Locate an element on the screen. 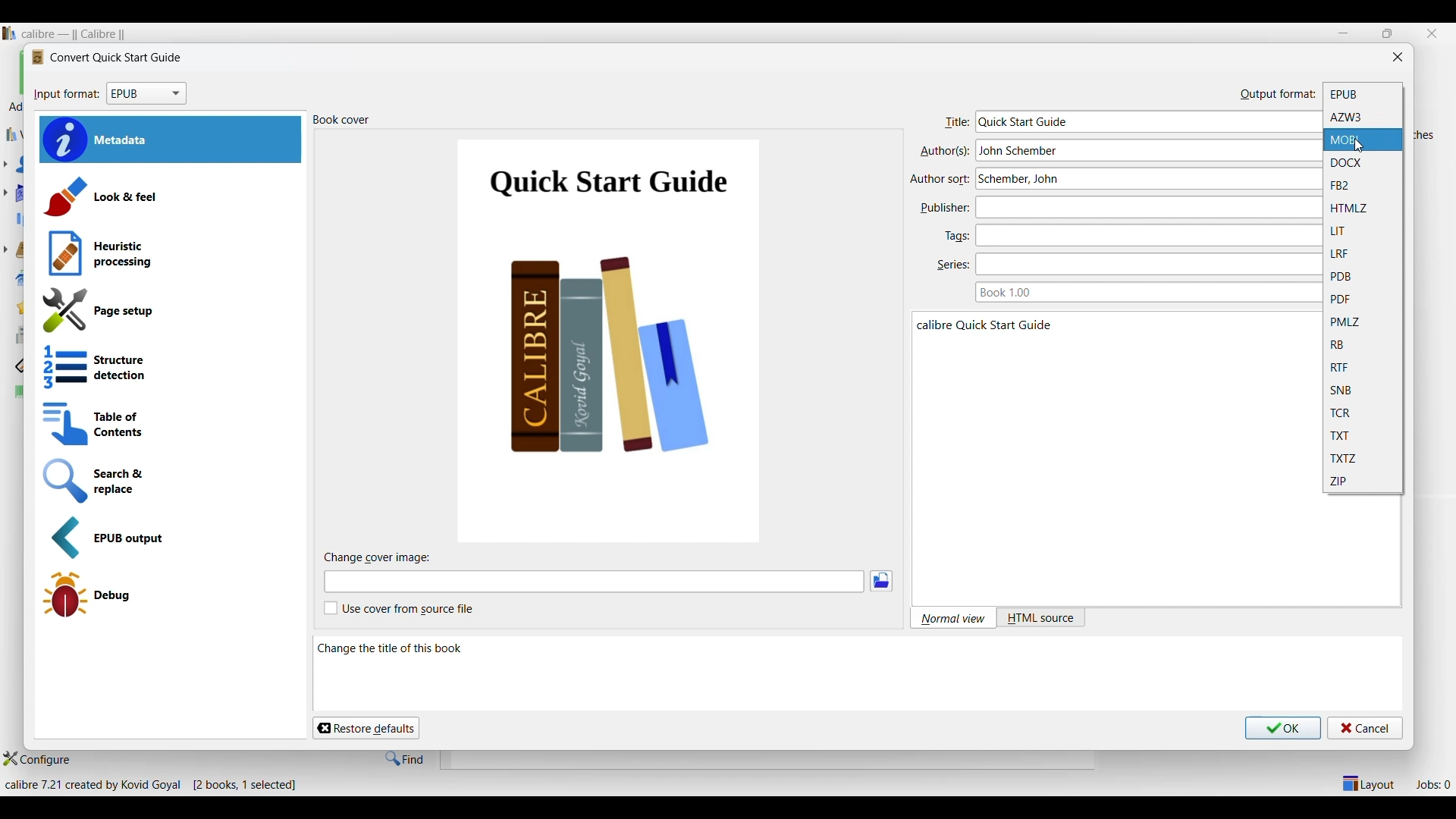 This screenshot has width=1456, height=819. RTF is located at coordinates (1363, 367).